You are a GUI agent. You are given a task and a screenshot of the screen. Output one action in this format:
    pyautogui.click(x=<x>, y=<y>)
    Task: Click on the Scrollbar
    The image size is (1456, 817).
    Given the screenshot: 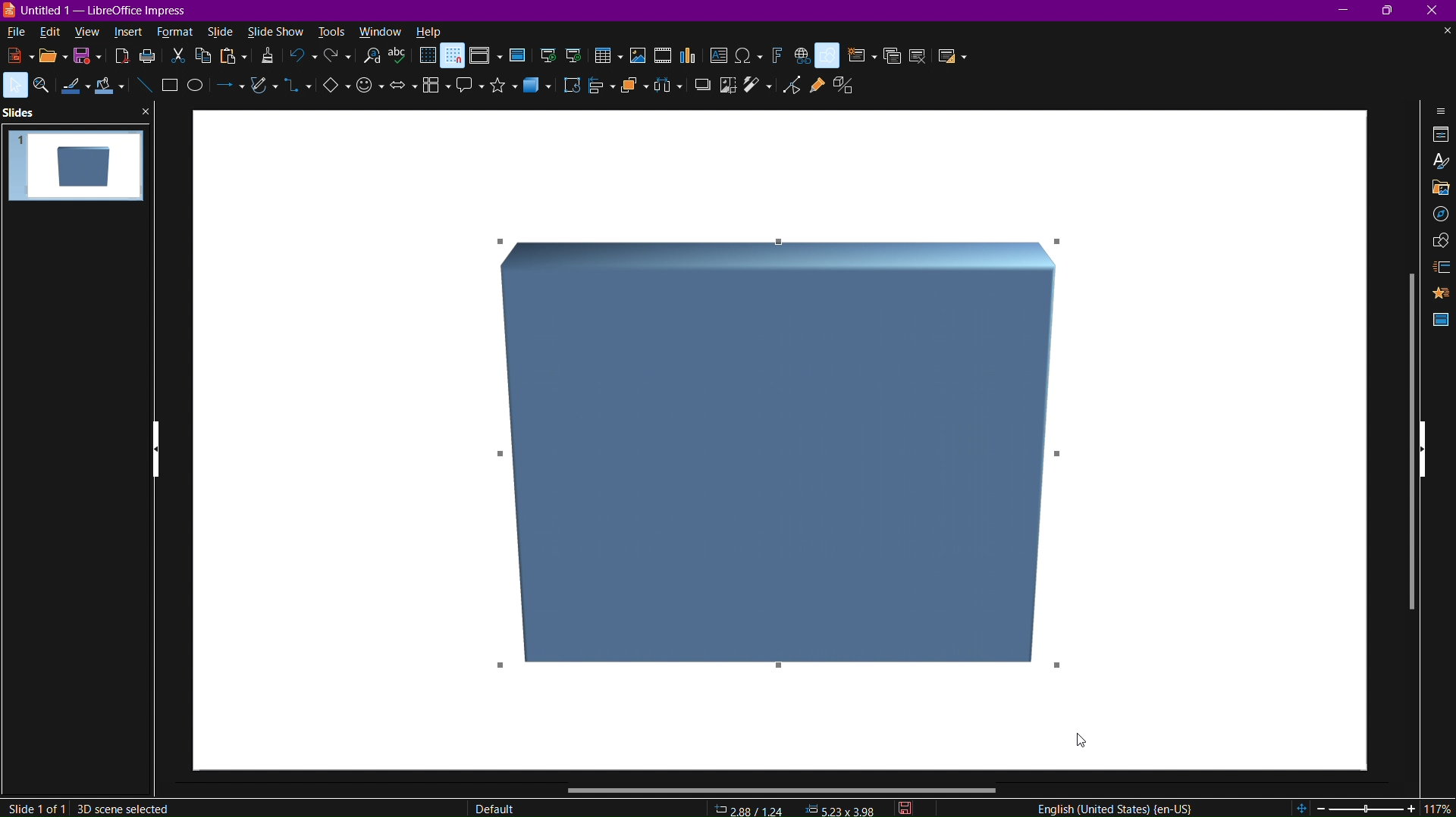 What is the action you would take?
    pyautogui.click(x=783, y=789)
    